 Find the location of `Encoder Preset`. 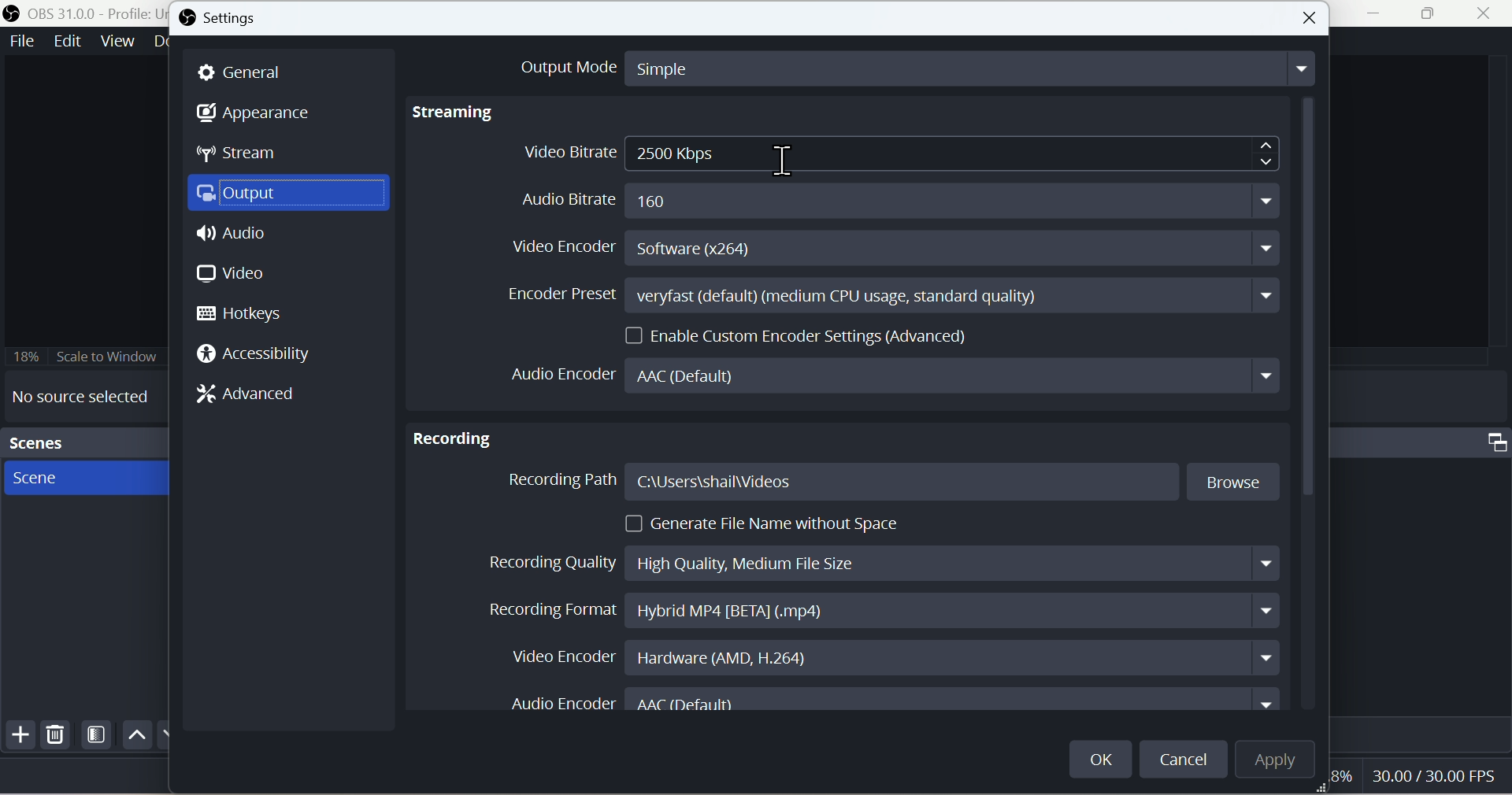

Encoder Preset is located at coordinates (888, 295).